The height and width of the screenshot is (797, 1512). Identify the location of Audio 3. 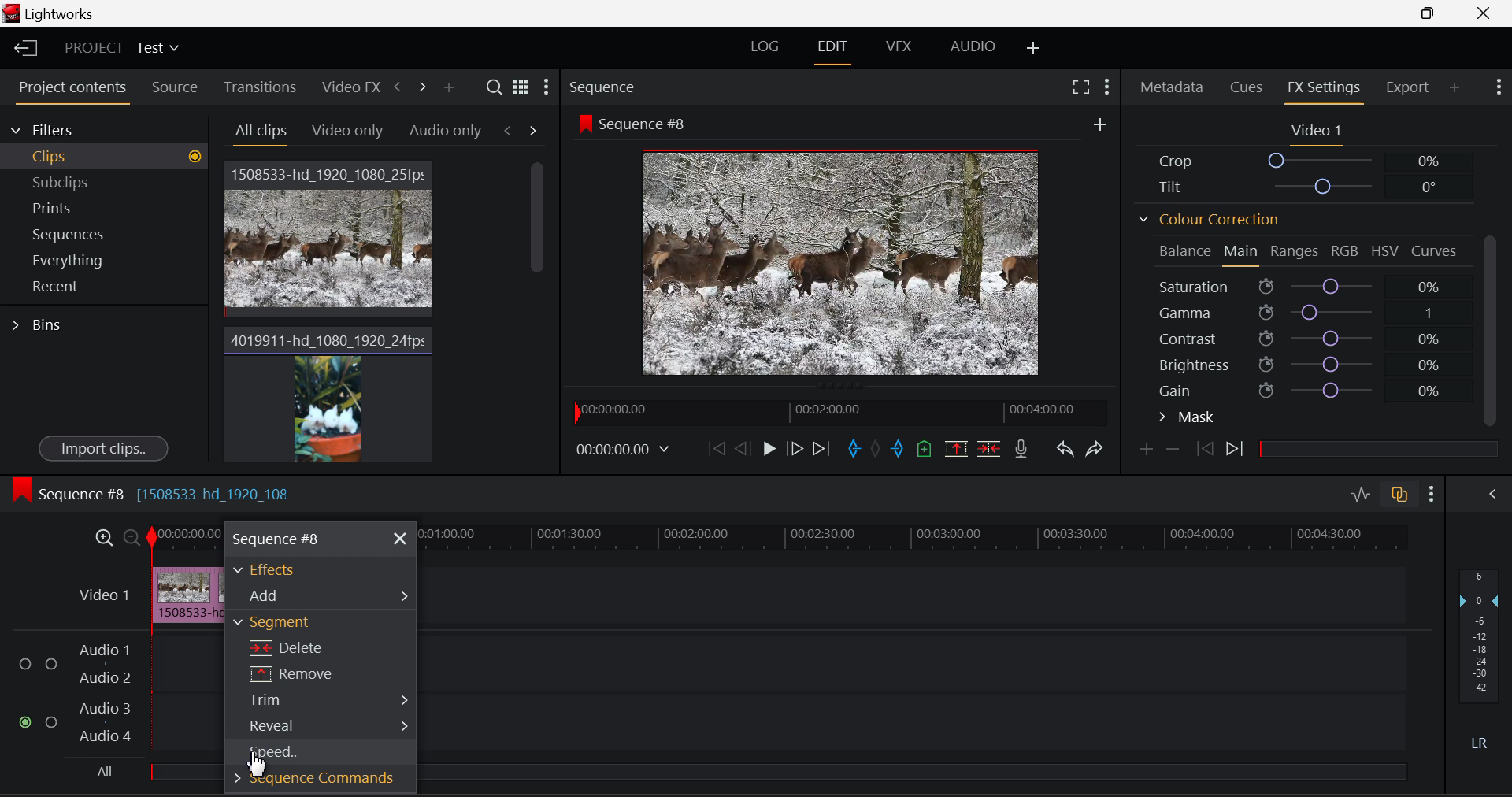
(106, 710).